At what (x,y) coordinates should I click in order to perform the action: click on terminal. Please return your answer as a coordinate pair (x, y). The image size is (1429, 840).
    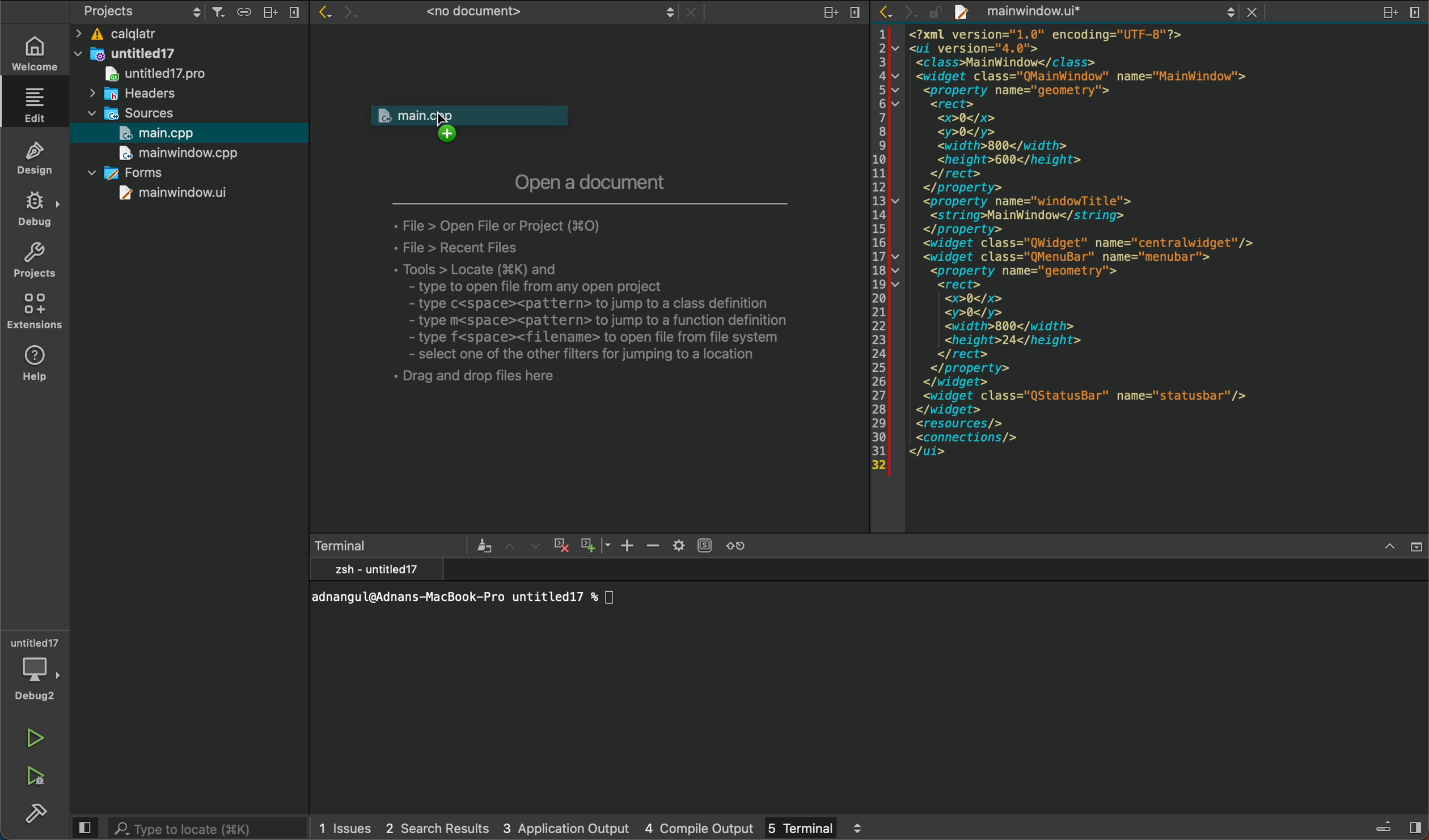
    Looking at the image, I should click on (870, 684).